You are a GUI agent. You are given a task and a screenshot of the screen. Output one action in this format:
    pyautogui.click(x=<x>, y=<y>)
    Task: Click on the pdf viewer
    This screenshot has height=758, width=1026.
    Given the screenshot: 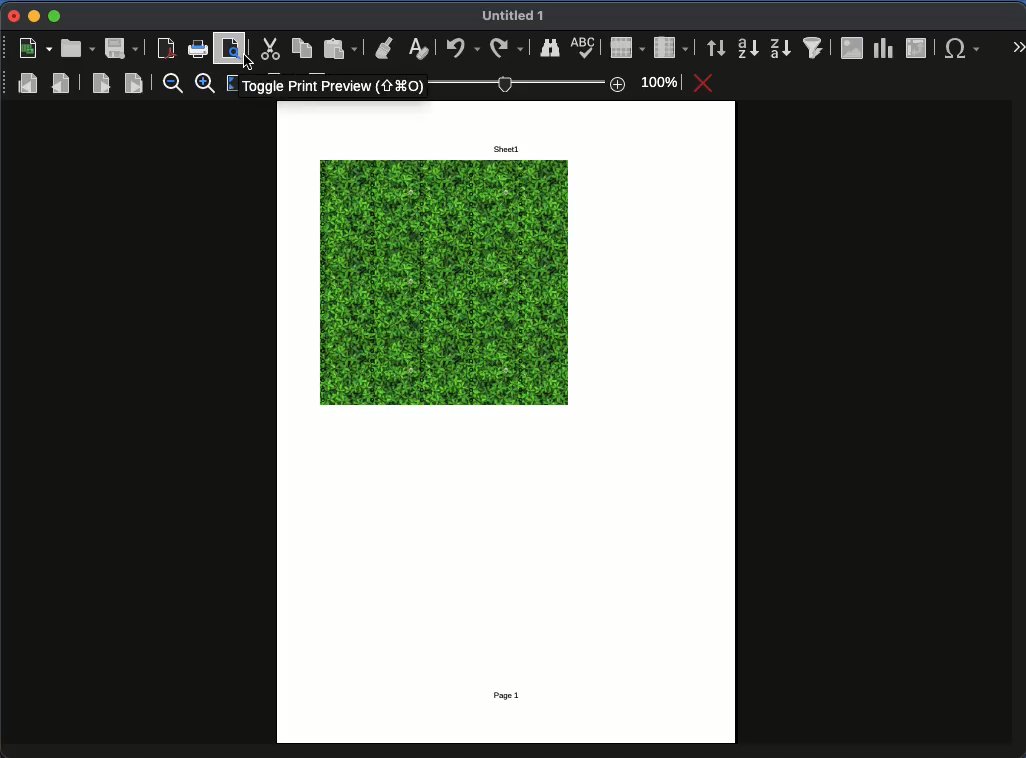 What is the action you would take?
    pyautogui.click(x=166, y=48)
    